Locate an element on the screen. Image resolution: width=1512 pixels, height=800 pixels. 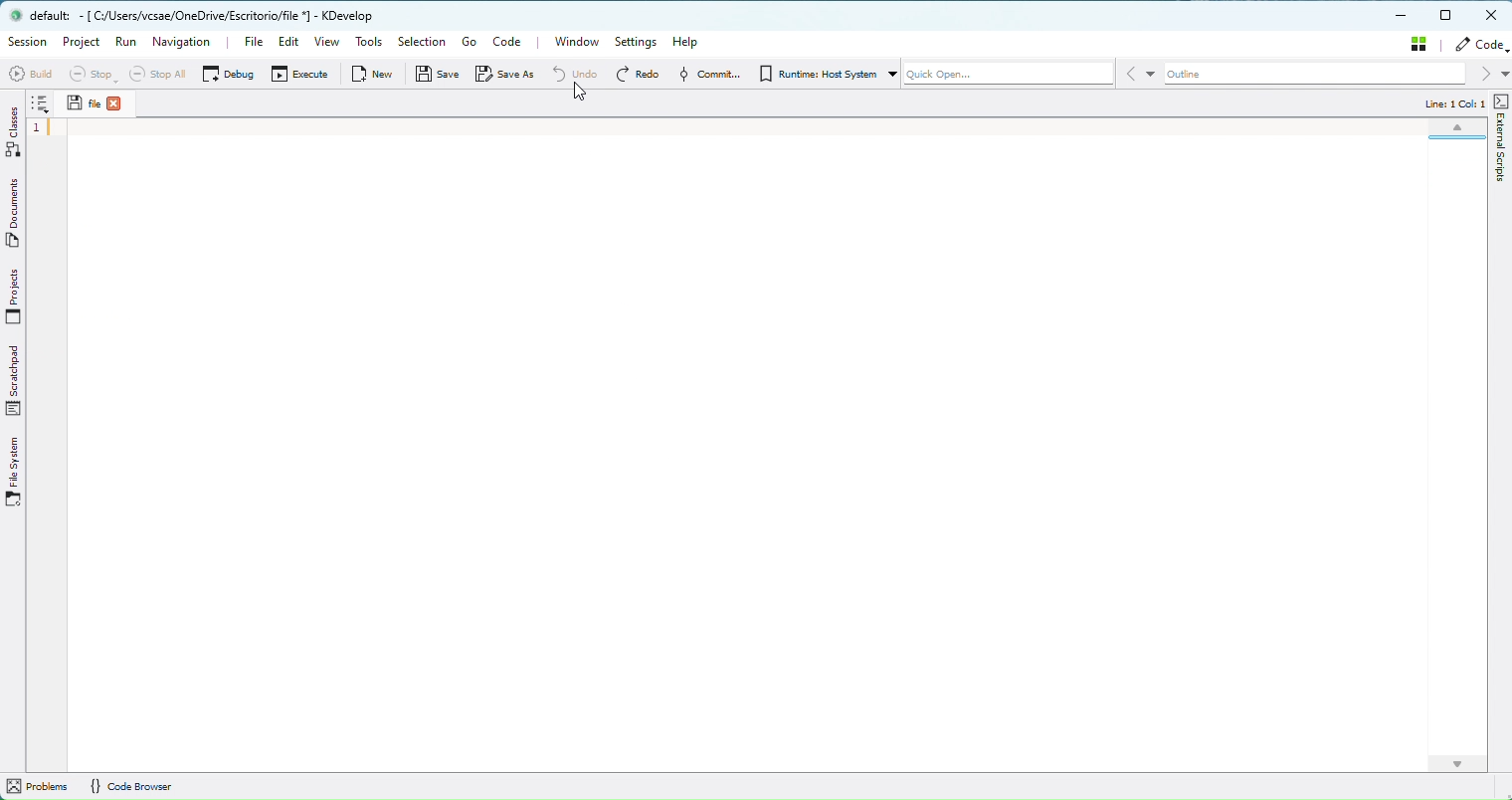
Session is located at coordinates (27, 41).